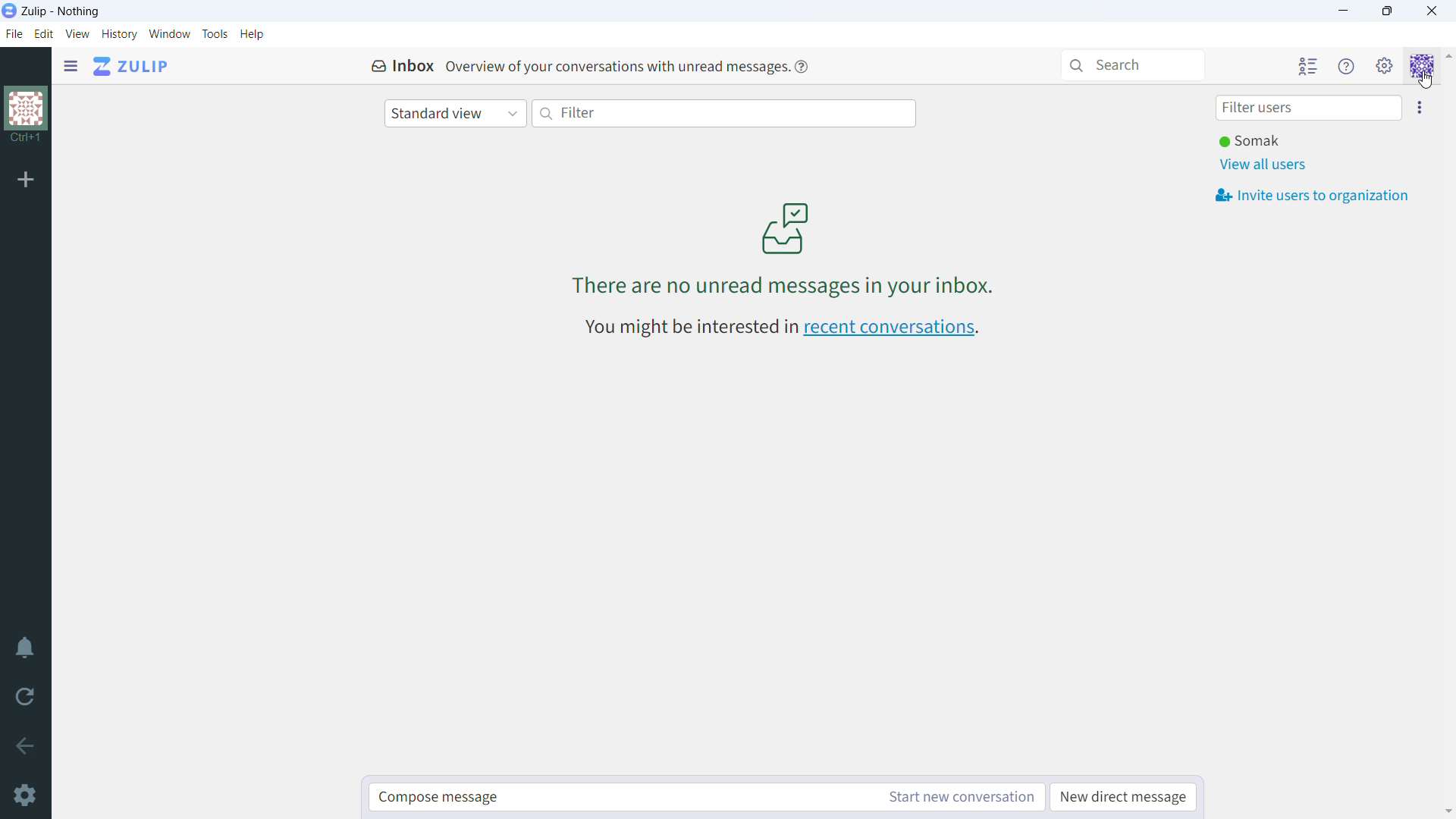 This screenshot has height=819, width=1456. Describe the element at coordinates (1447, 55) in the screenshot. I see `scroll up` at that location.